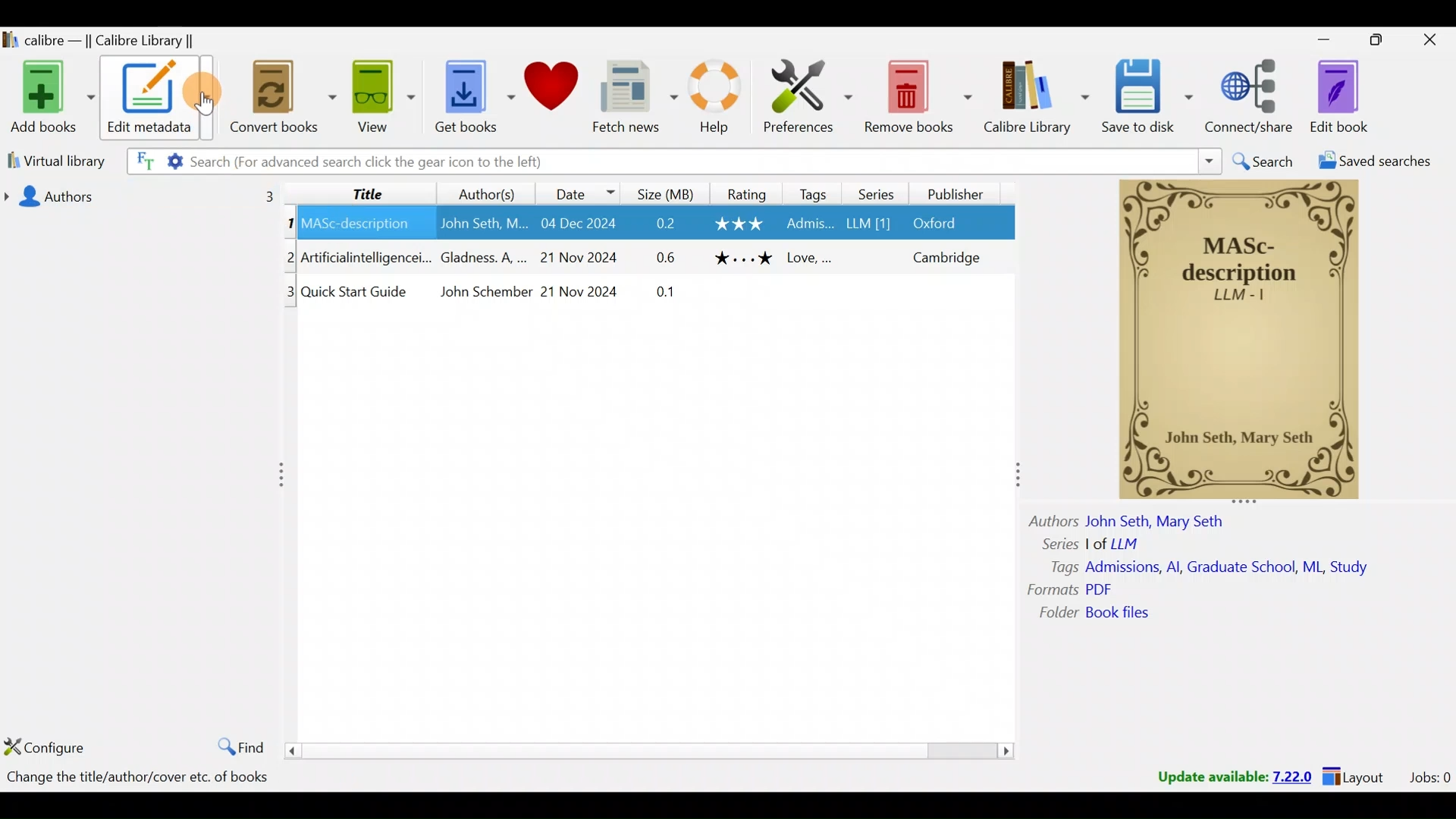 This screenshot has height=819, width=1456. I want to click on , so click(668, 256).